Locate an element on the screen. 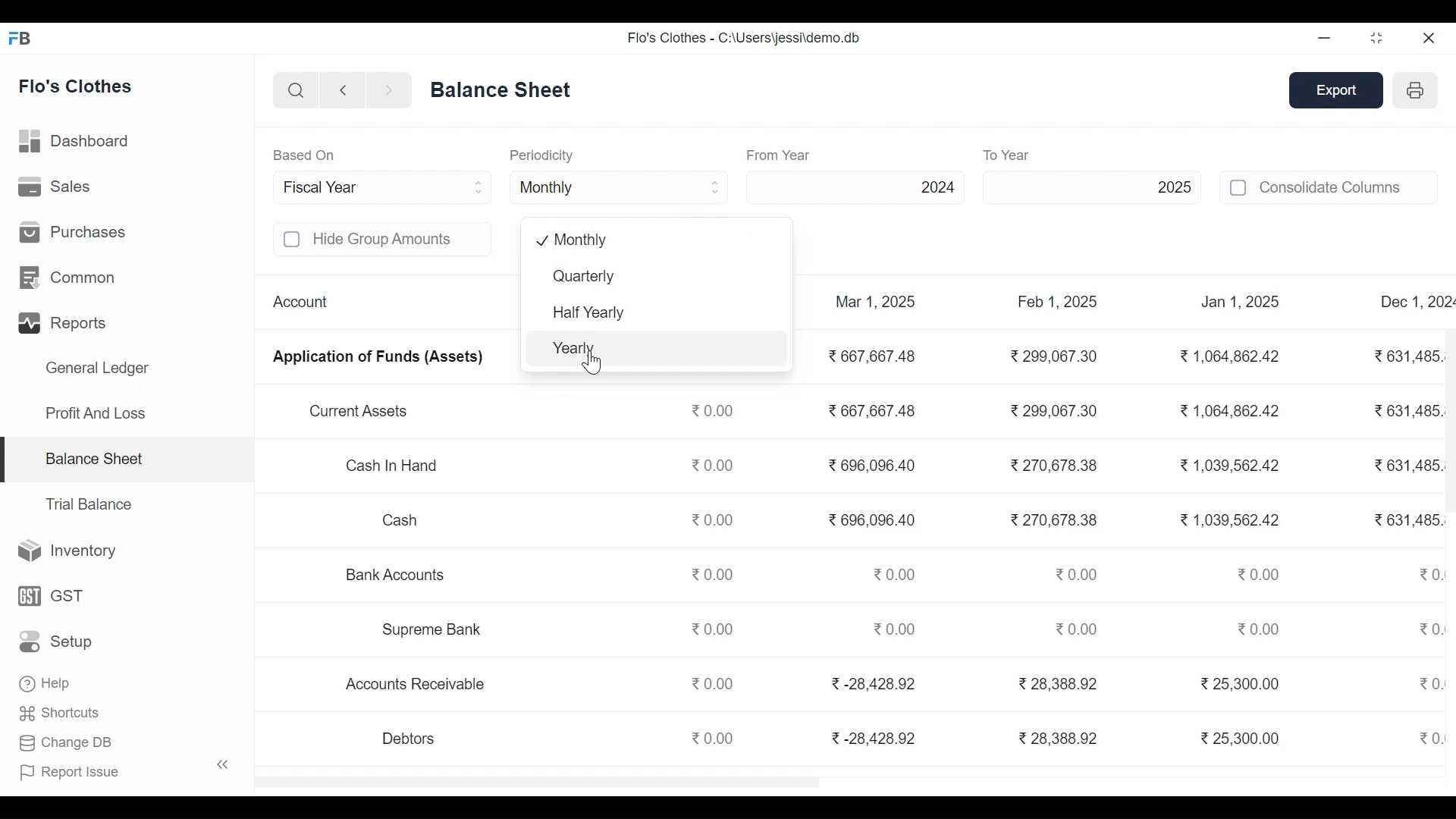  common is located at coordinates (71, 278).